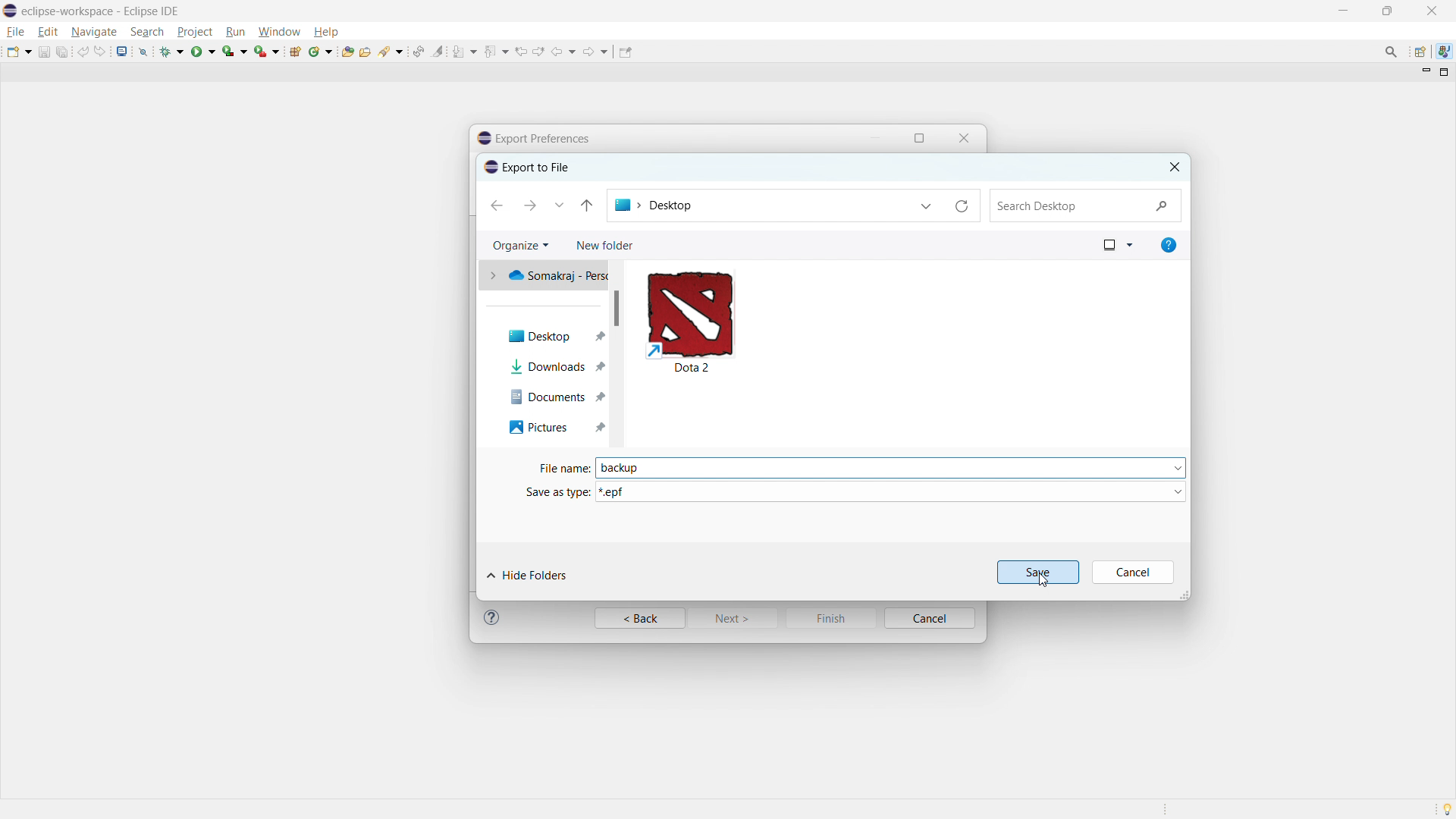 This screenshot has height=819, width=1456. I want to click on new java class, so click(321, 52).